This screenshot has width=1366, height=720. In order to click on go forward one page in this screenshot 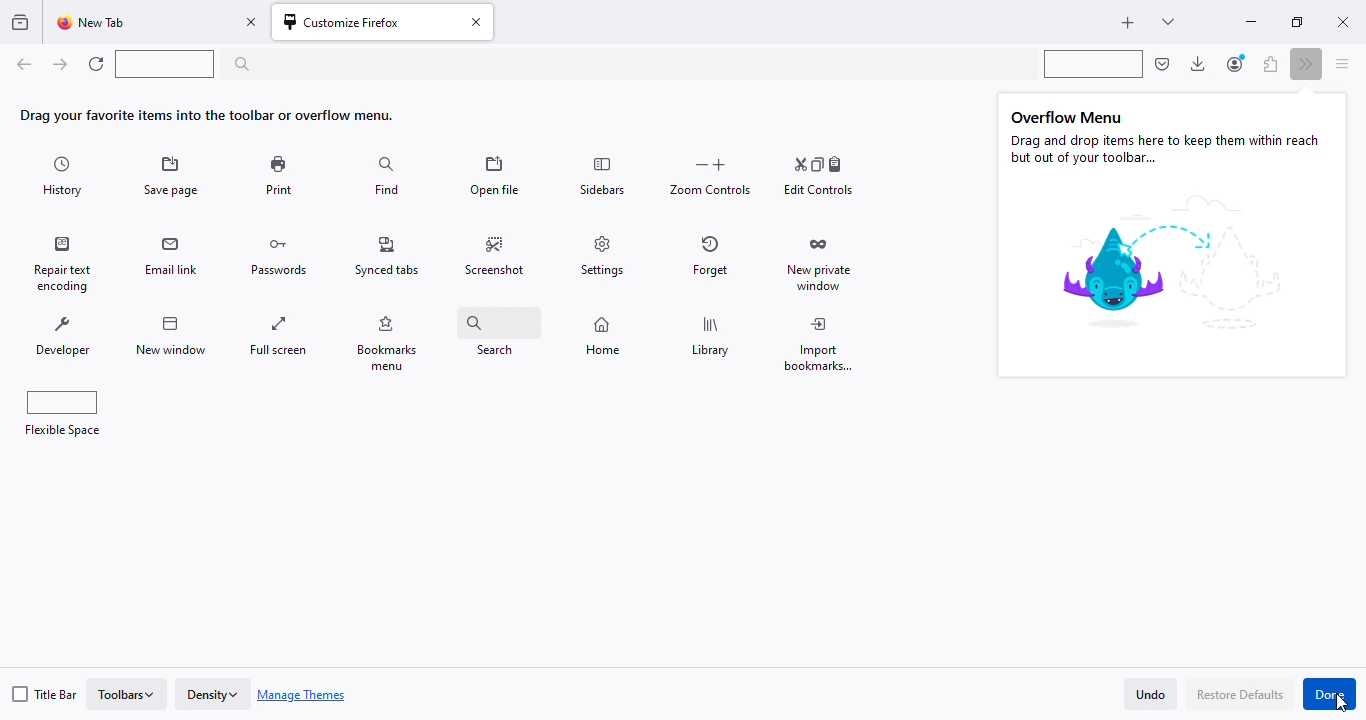, I will do `click(61, 64)`.